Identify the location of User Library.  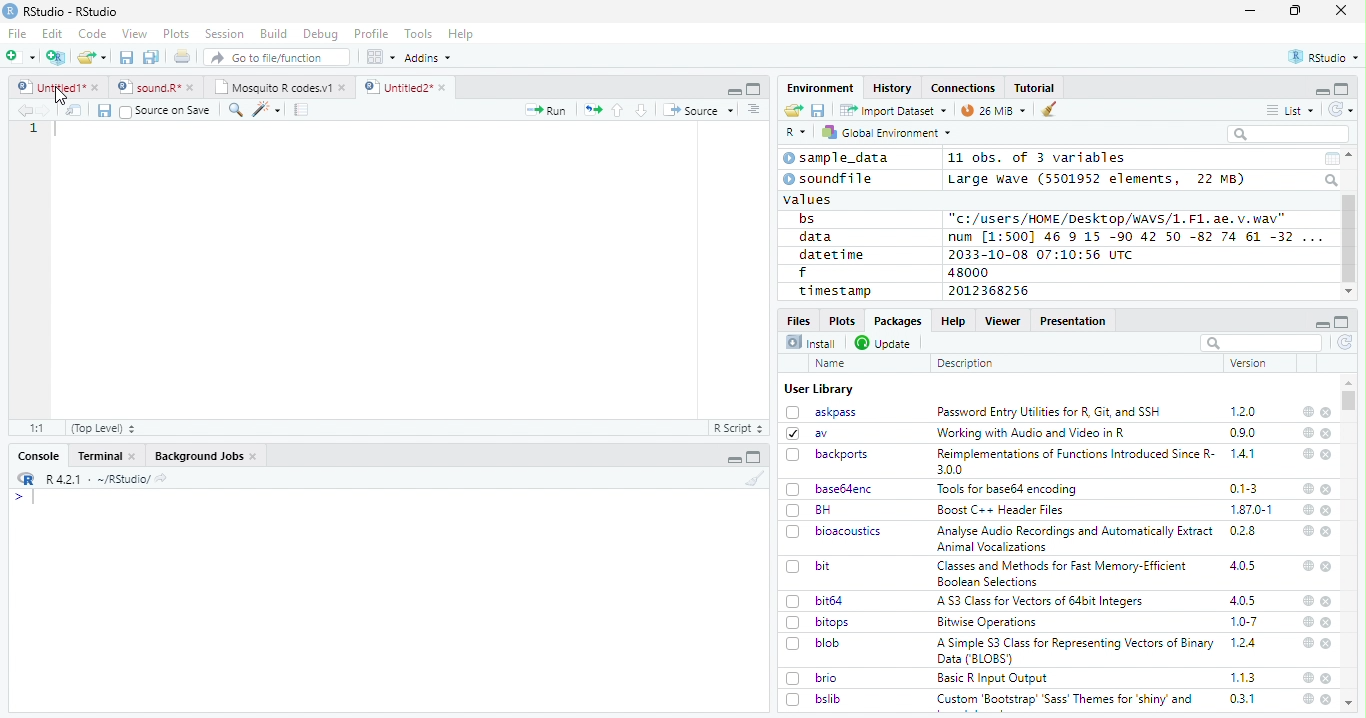
(819, 389).